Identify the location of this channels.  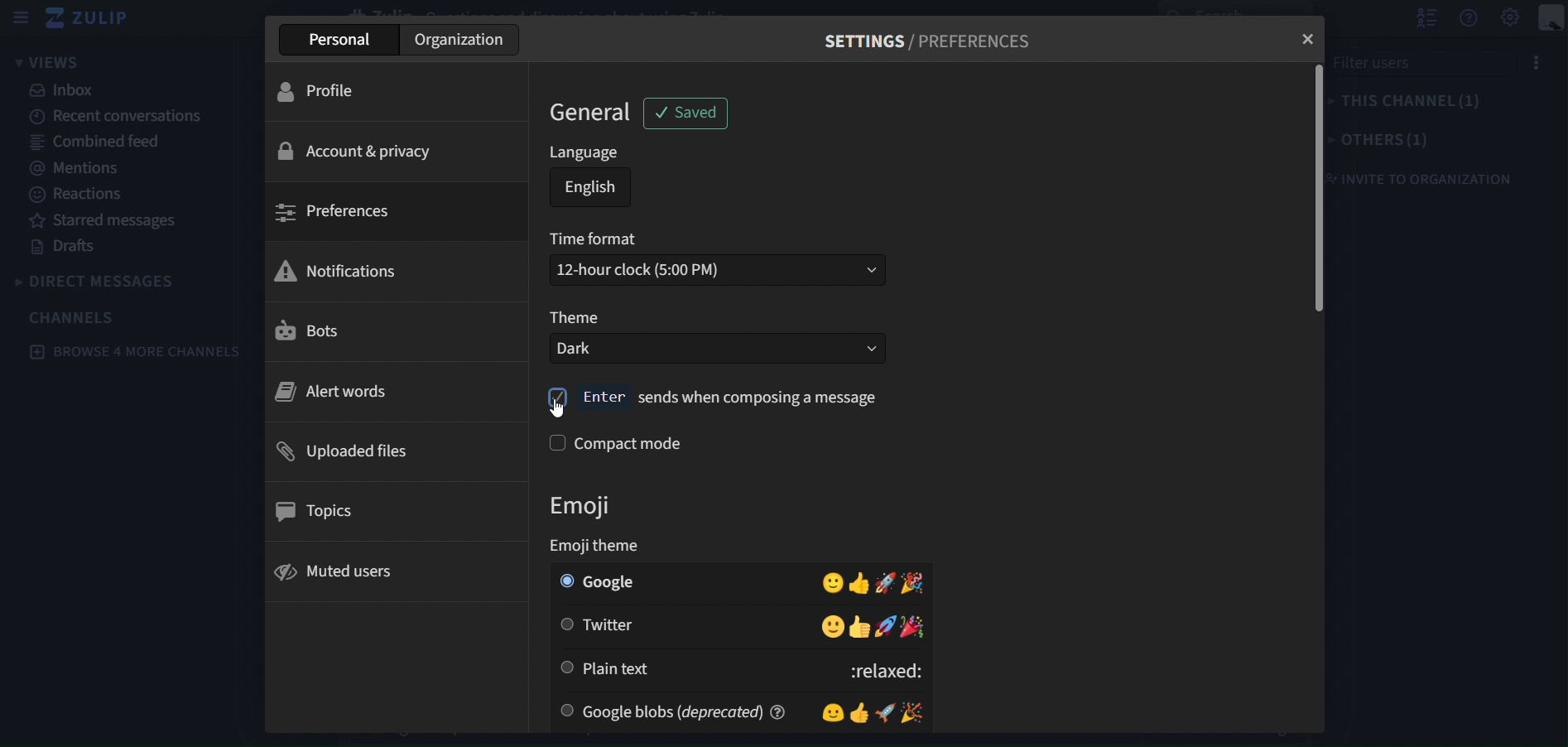
(1416, 102).